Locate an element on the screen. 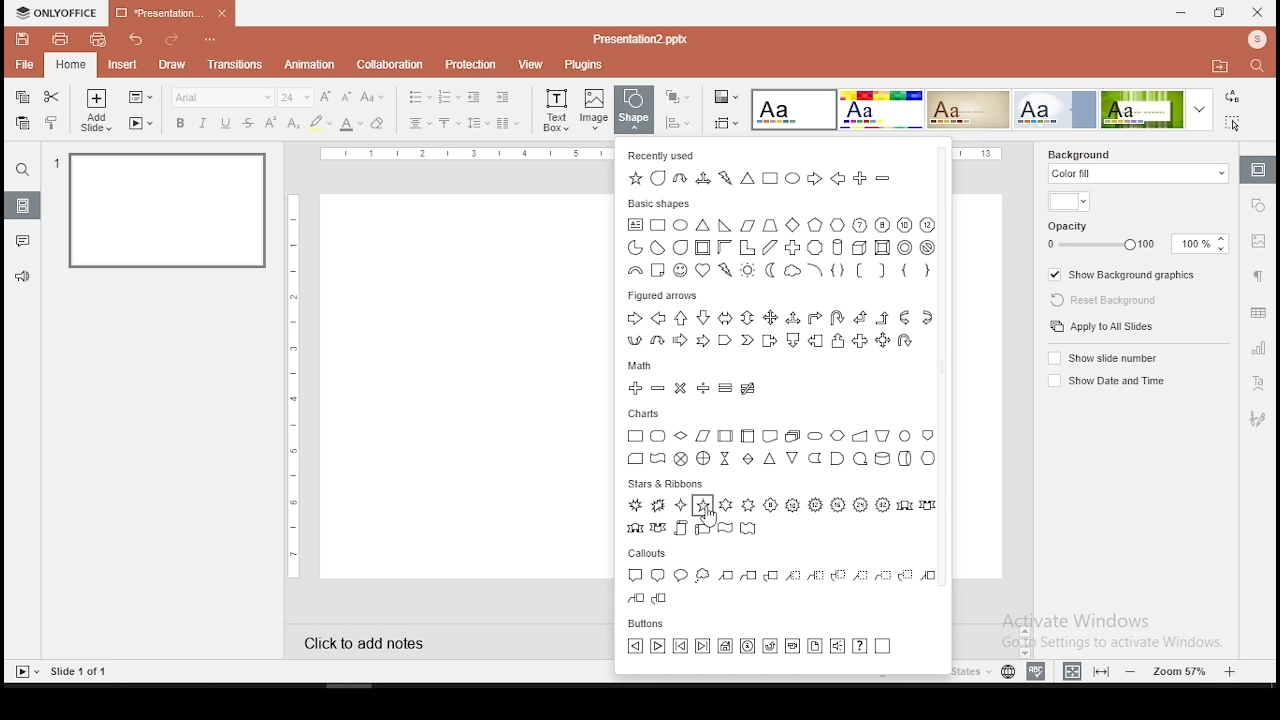 This screenshot has height=720, width=1280. math is located at coordinates (691, 388).